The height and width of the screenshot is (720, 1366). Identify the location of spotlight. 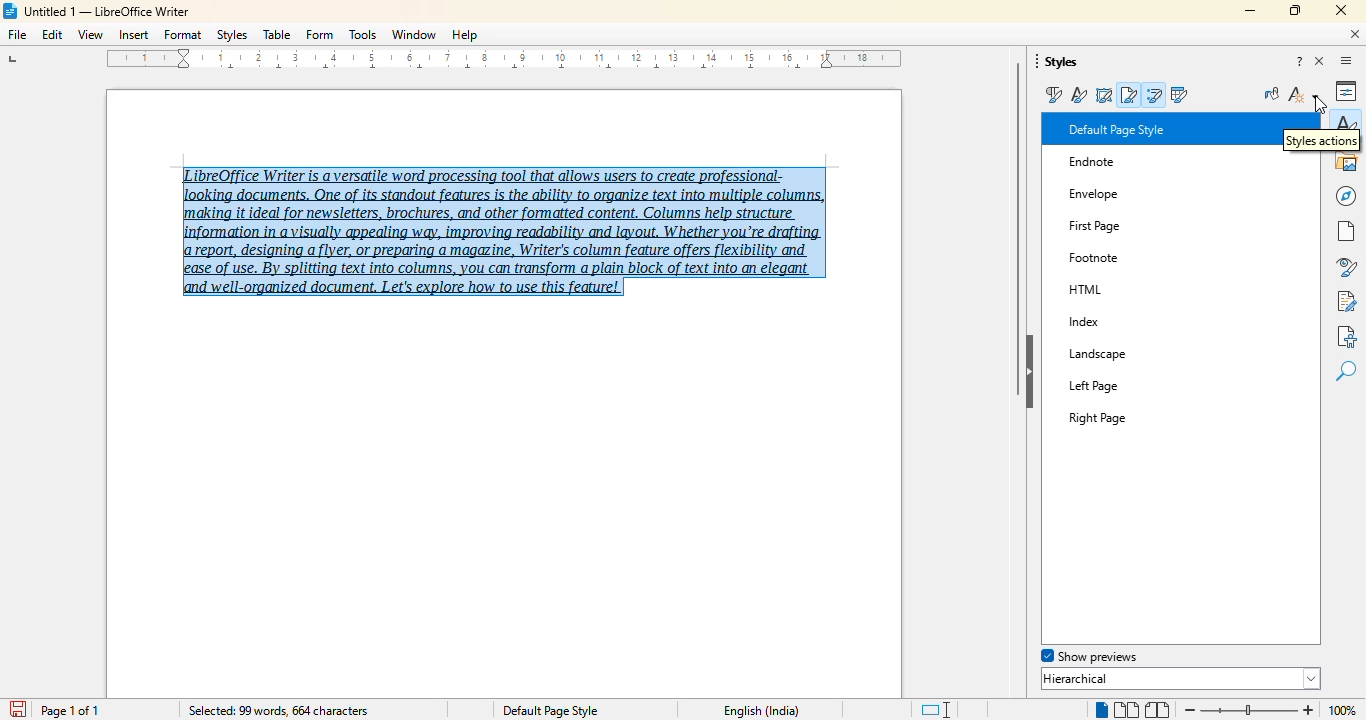
(1174, 656).